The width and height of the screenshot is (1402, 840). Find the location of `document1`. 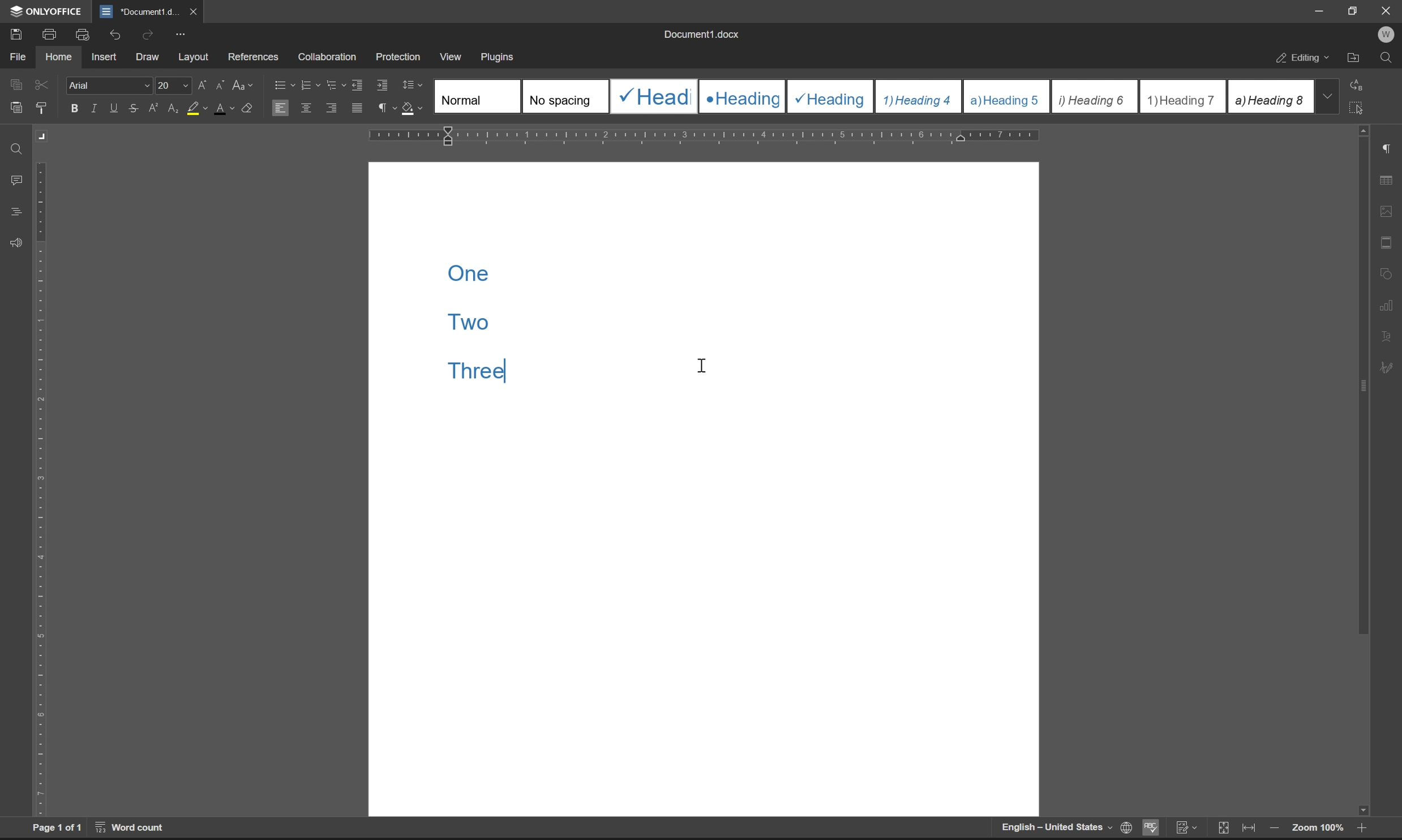

document1 is located at coordinates (139, 12).